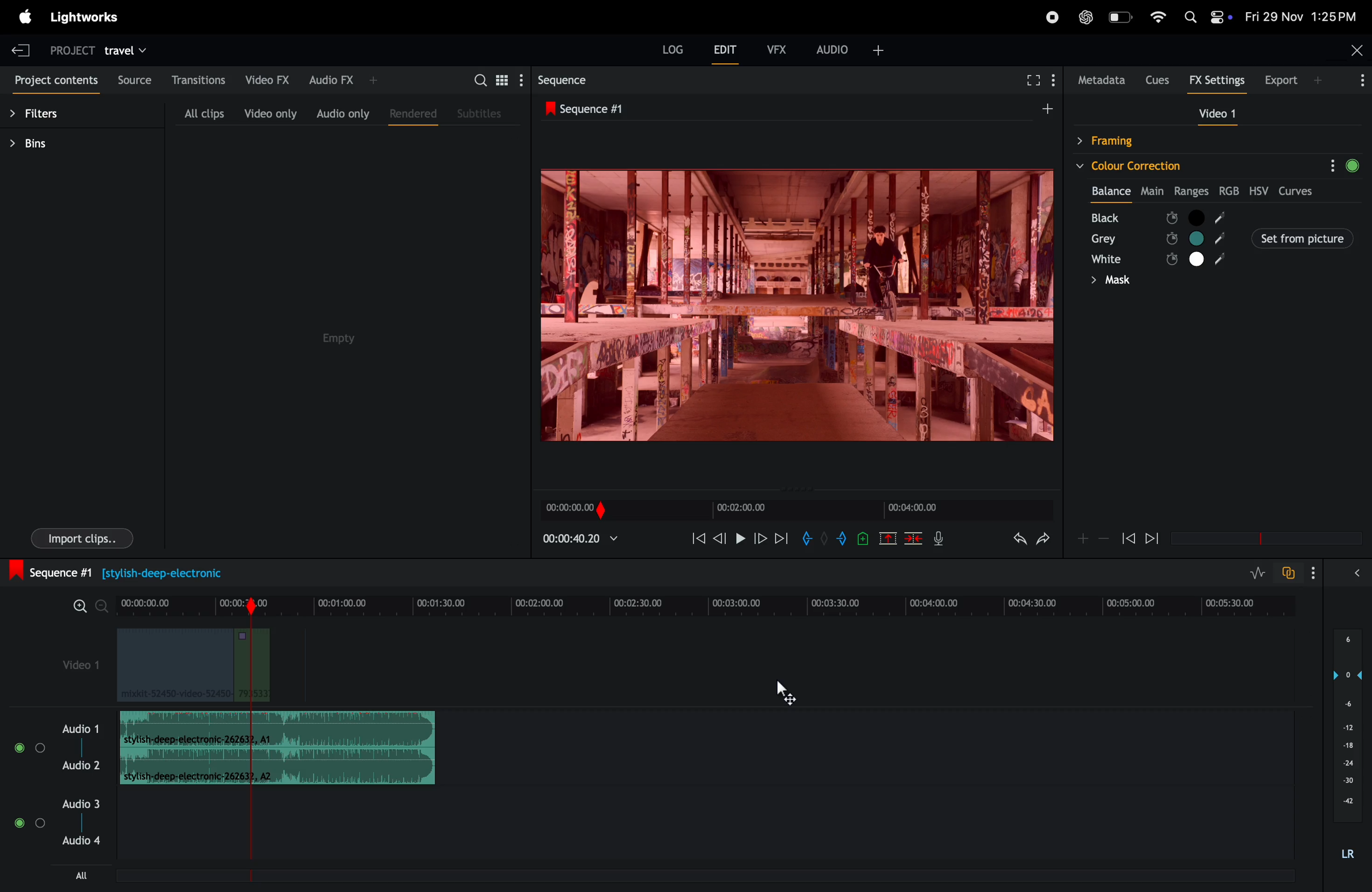  Describe the element at coordinates (74, 662) in the screenshot. I see `video 1` at that location.